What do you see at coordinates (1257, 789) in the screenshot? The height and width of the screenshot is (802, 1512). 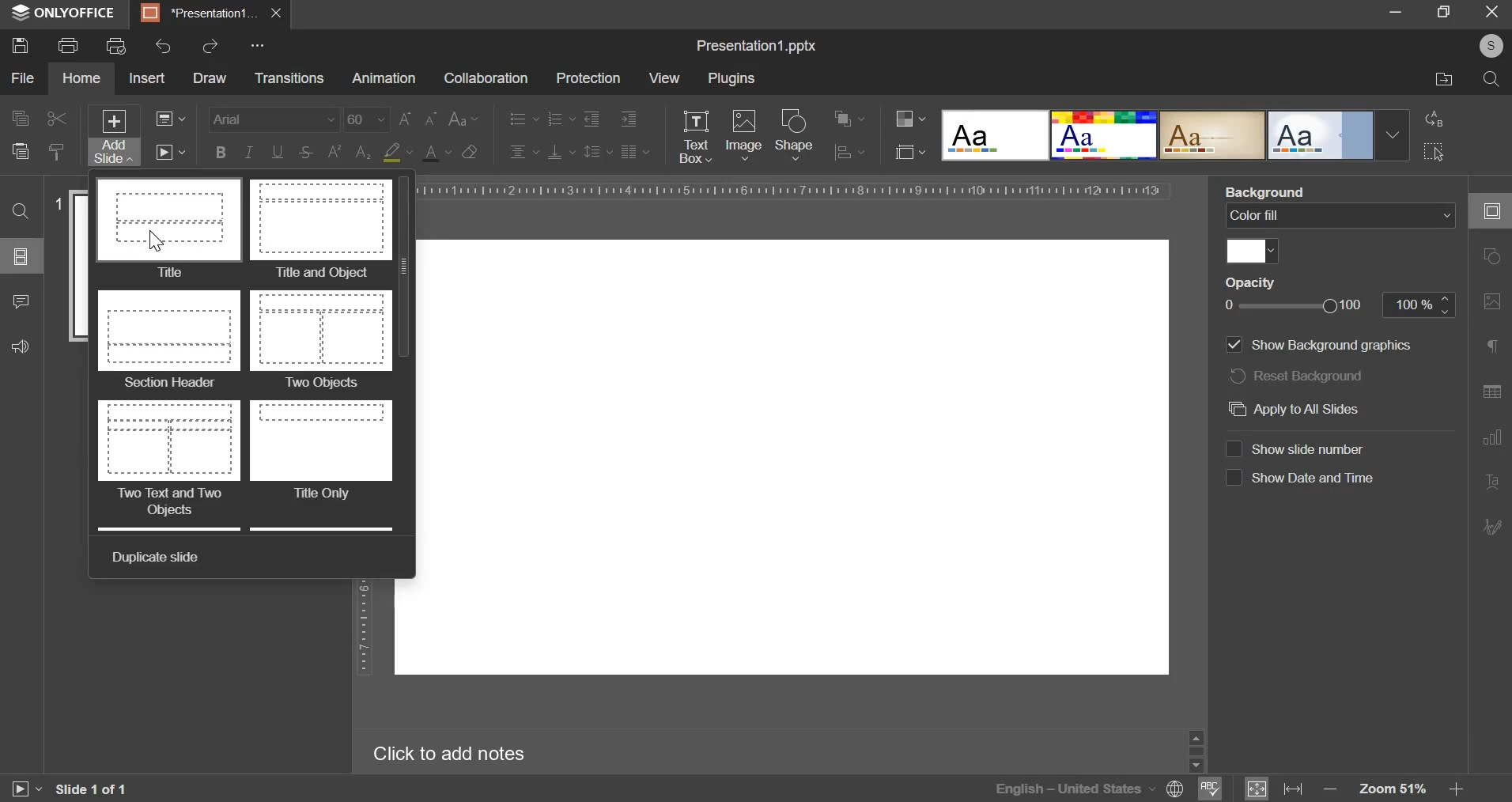 I see `fit to slide` at bounding box center [1257, 789].